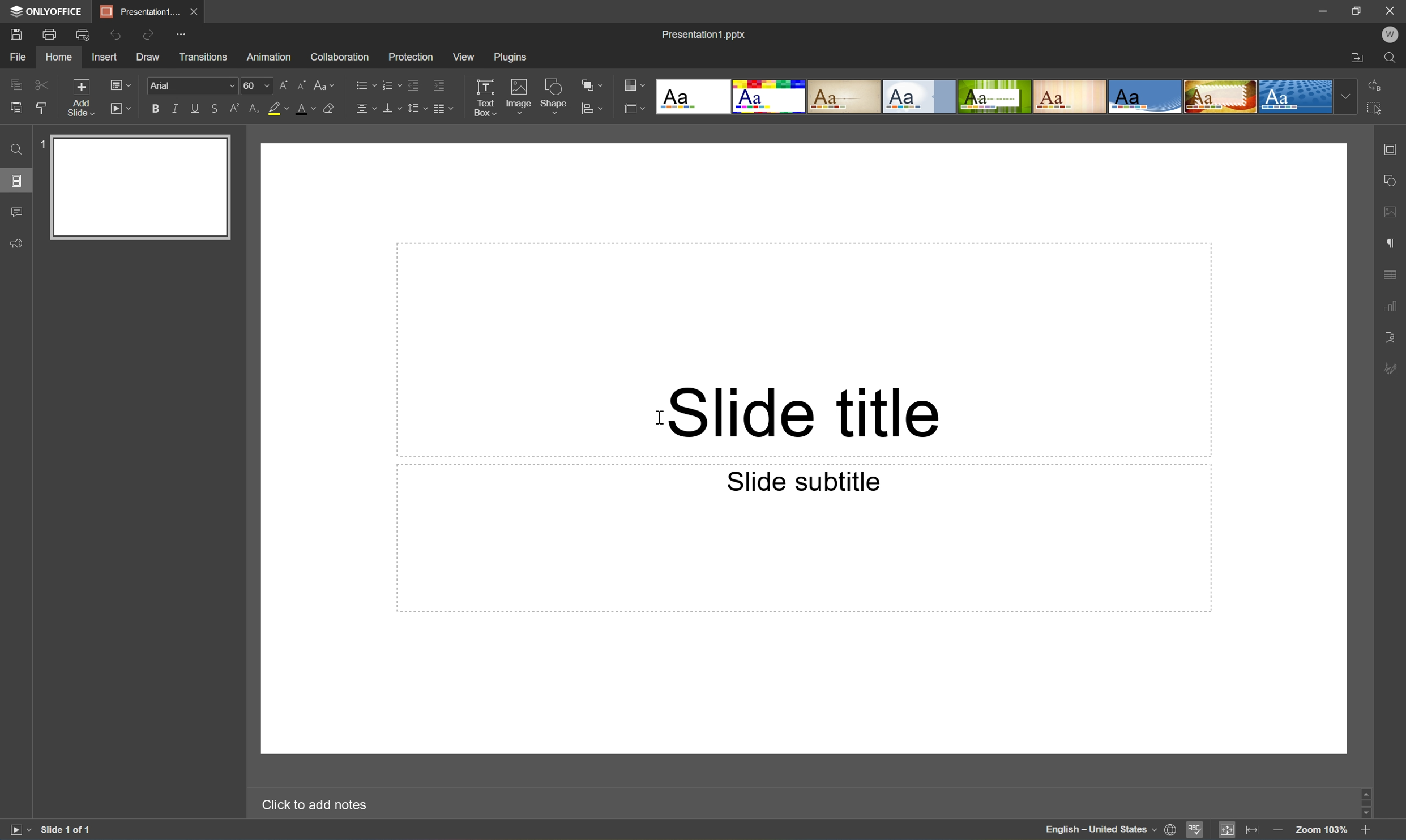 Image resolution: width=1406 pixels, height=840 pixels. Describe the element at coordinates (81, 36) in the screenshot. I see `Quick print` at that location.